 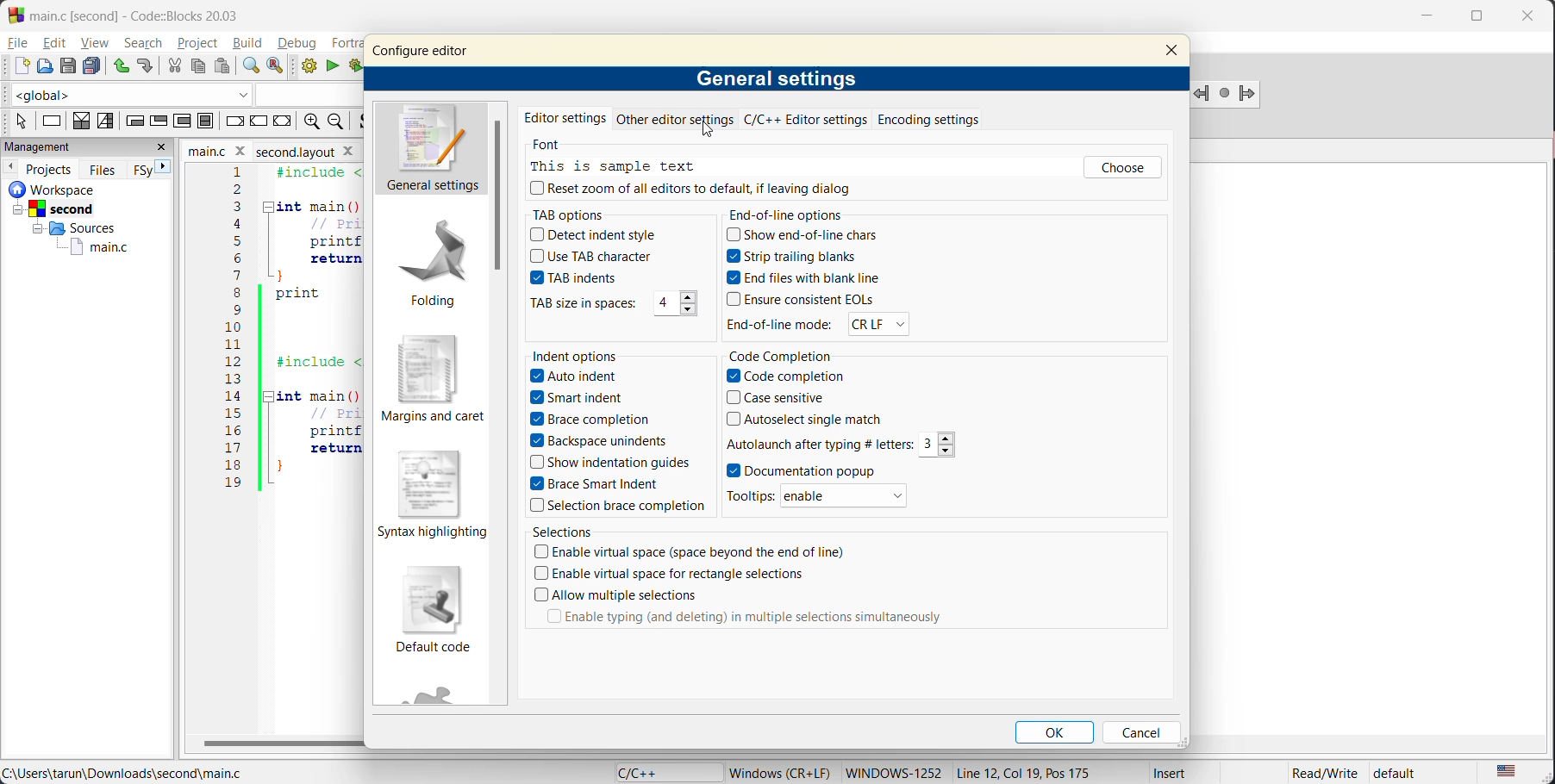 I want to click on selections, so click(x=562, y=529).